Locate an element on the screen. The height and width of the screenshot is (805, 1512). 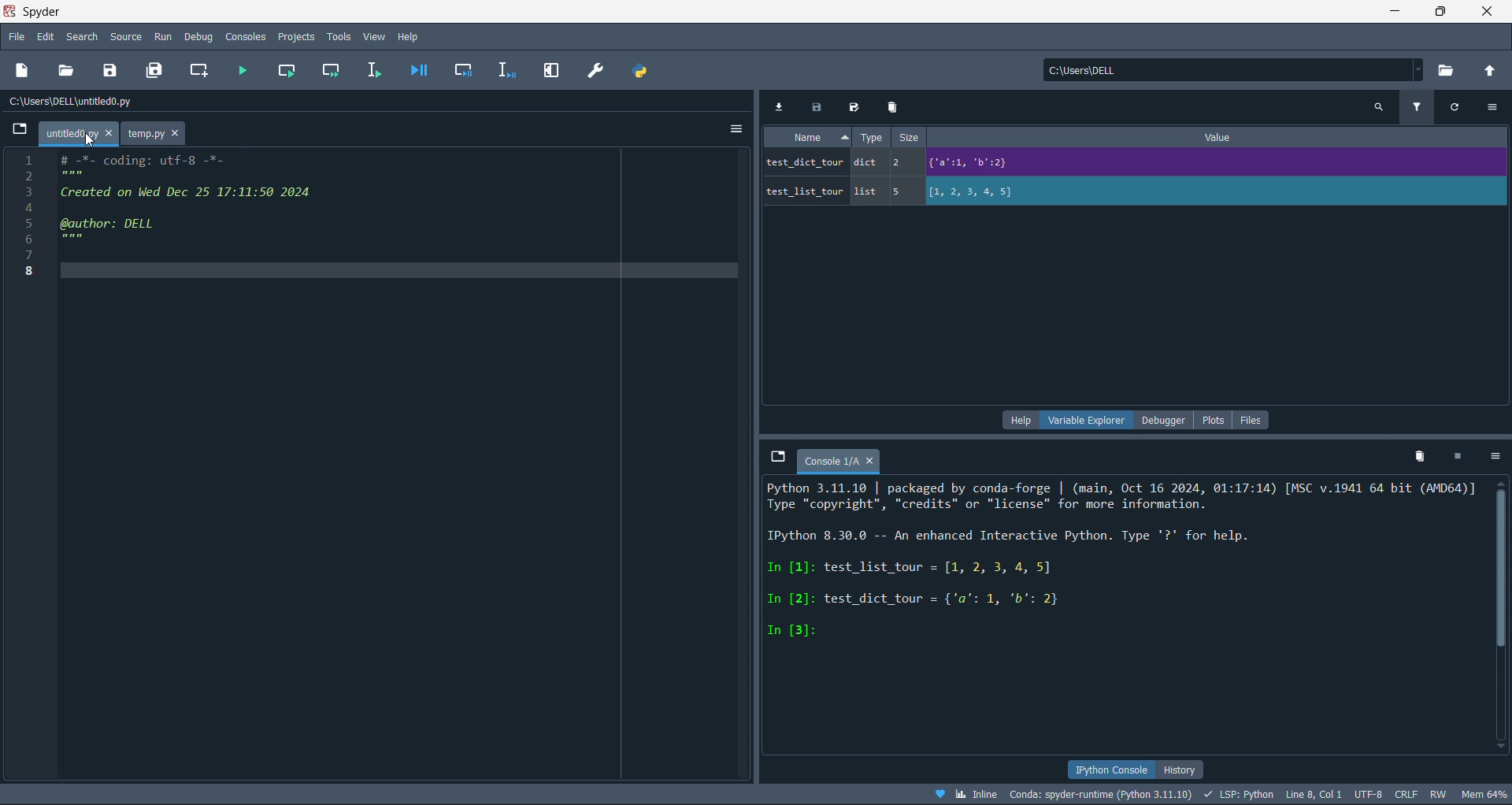
options is located at coordinates (1497, 456).